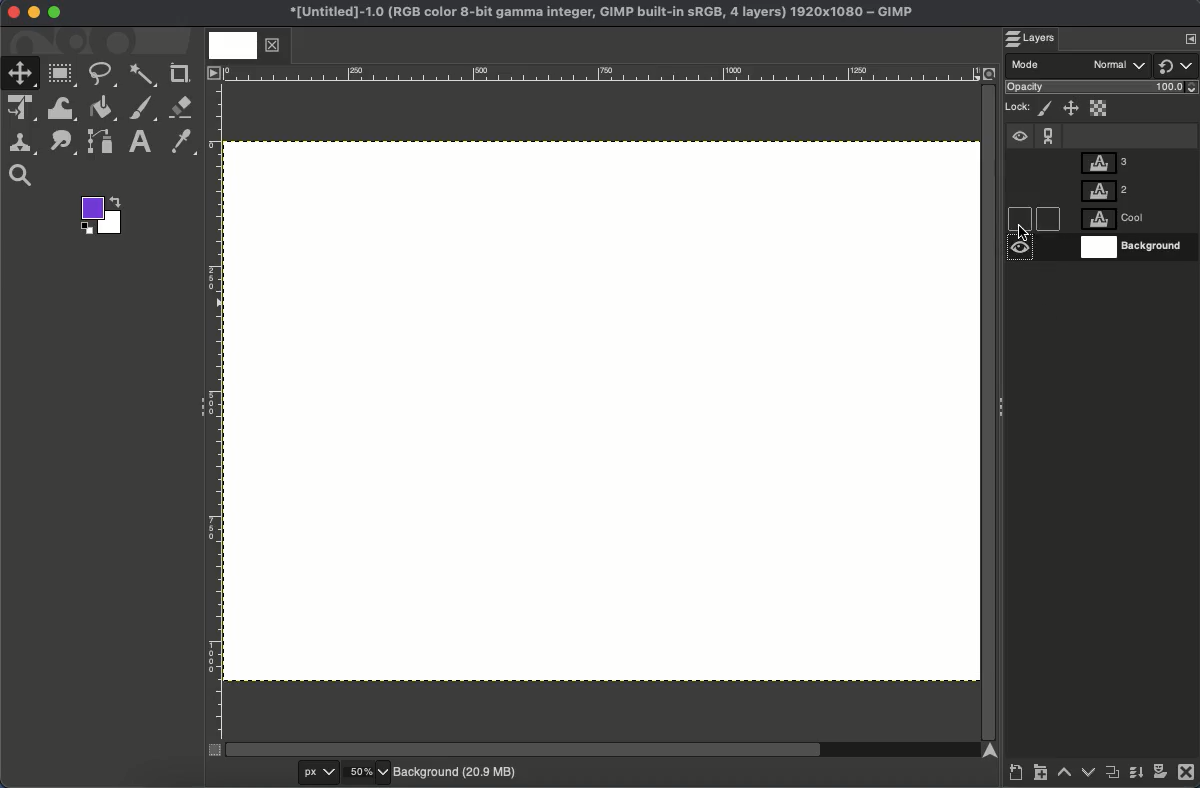  Describe the element at coordinates (11, 13) in the screenshot. I see `Close` at that location.